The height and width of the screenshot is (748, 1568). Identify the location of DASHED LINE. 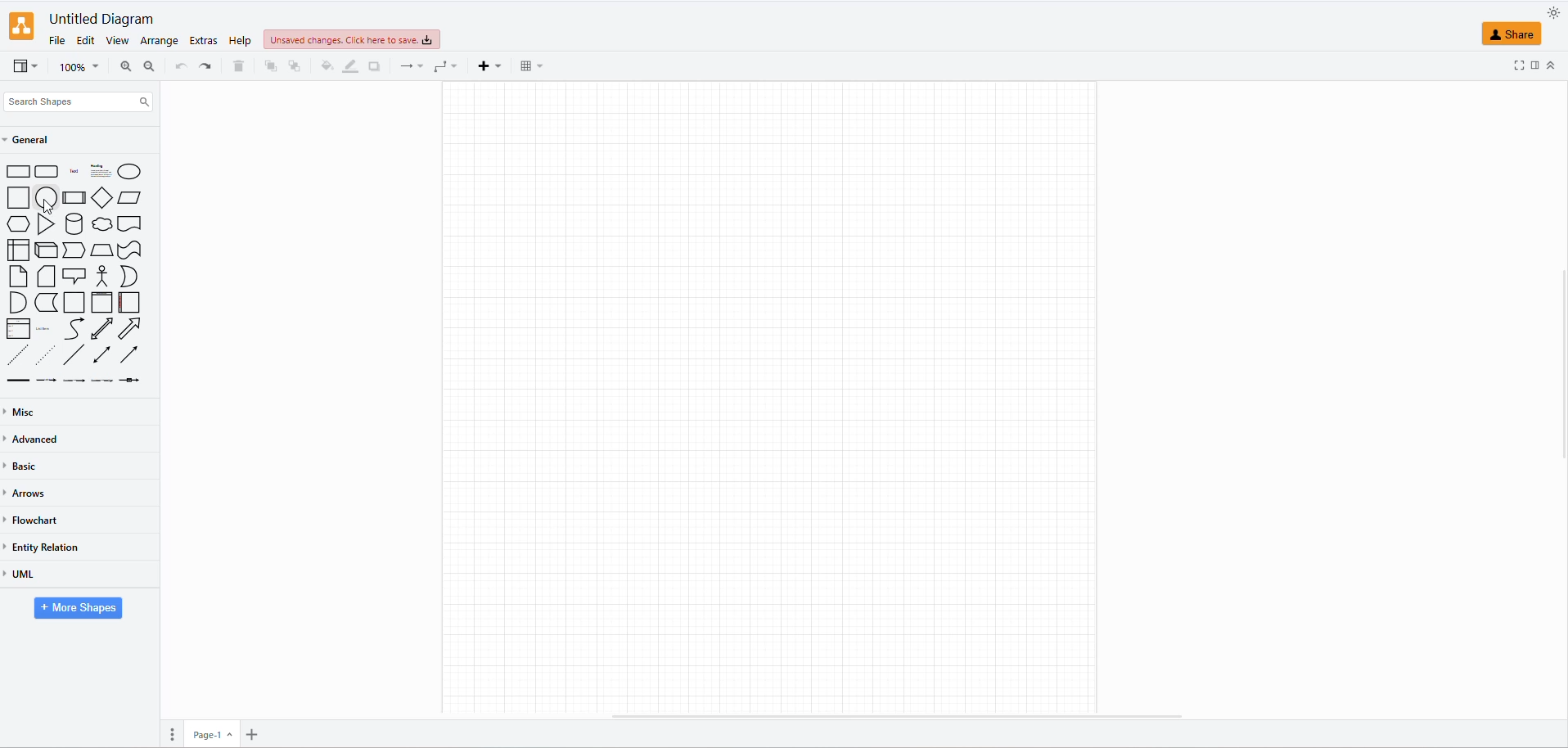
(15, 354).